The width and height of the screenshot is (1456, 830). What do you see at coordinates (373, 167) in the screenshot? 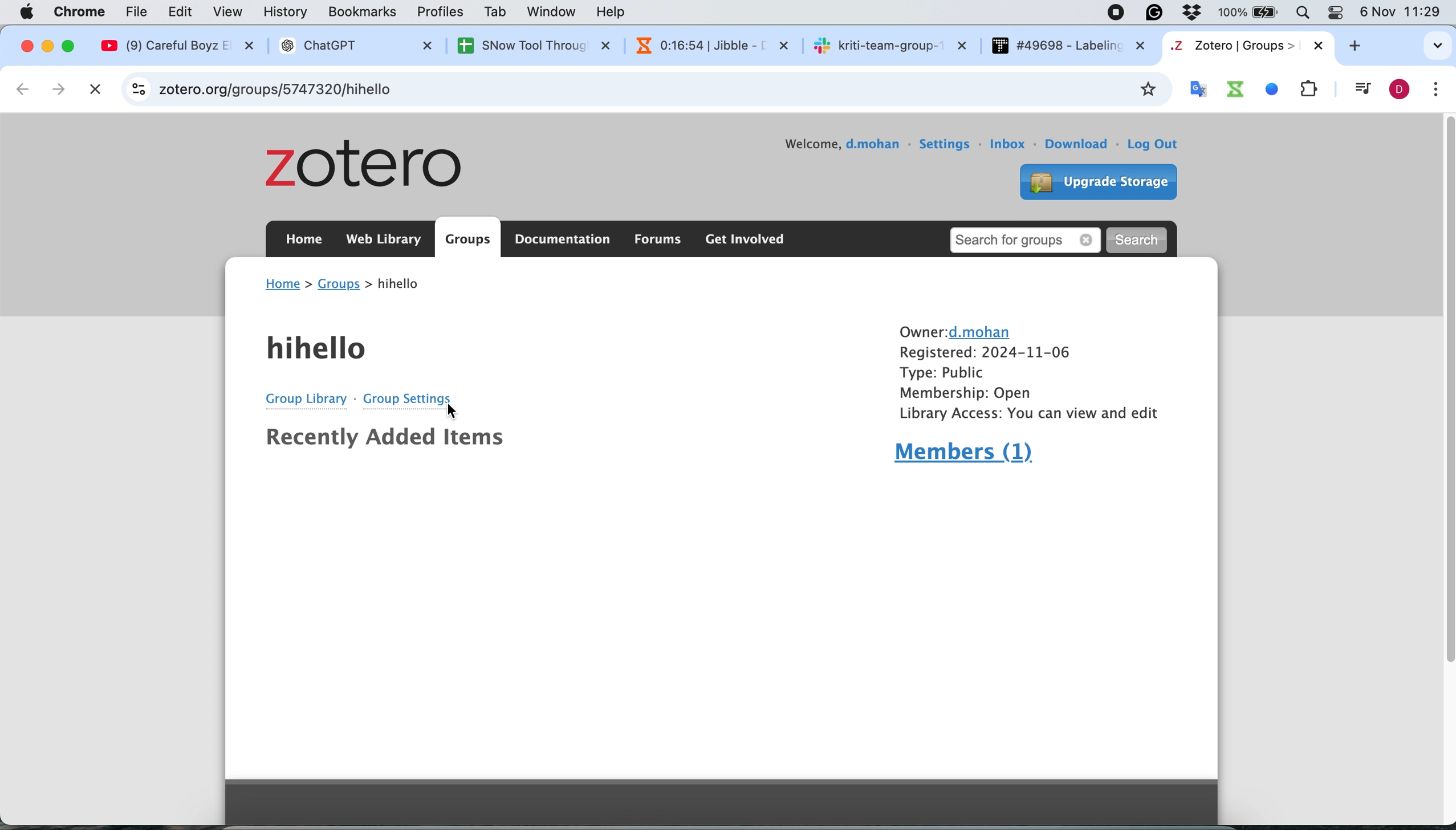
I see `zotero` at bounding box center [373, 167].